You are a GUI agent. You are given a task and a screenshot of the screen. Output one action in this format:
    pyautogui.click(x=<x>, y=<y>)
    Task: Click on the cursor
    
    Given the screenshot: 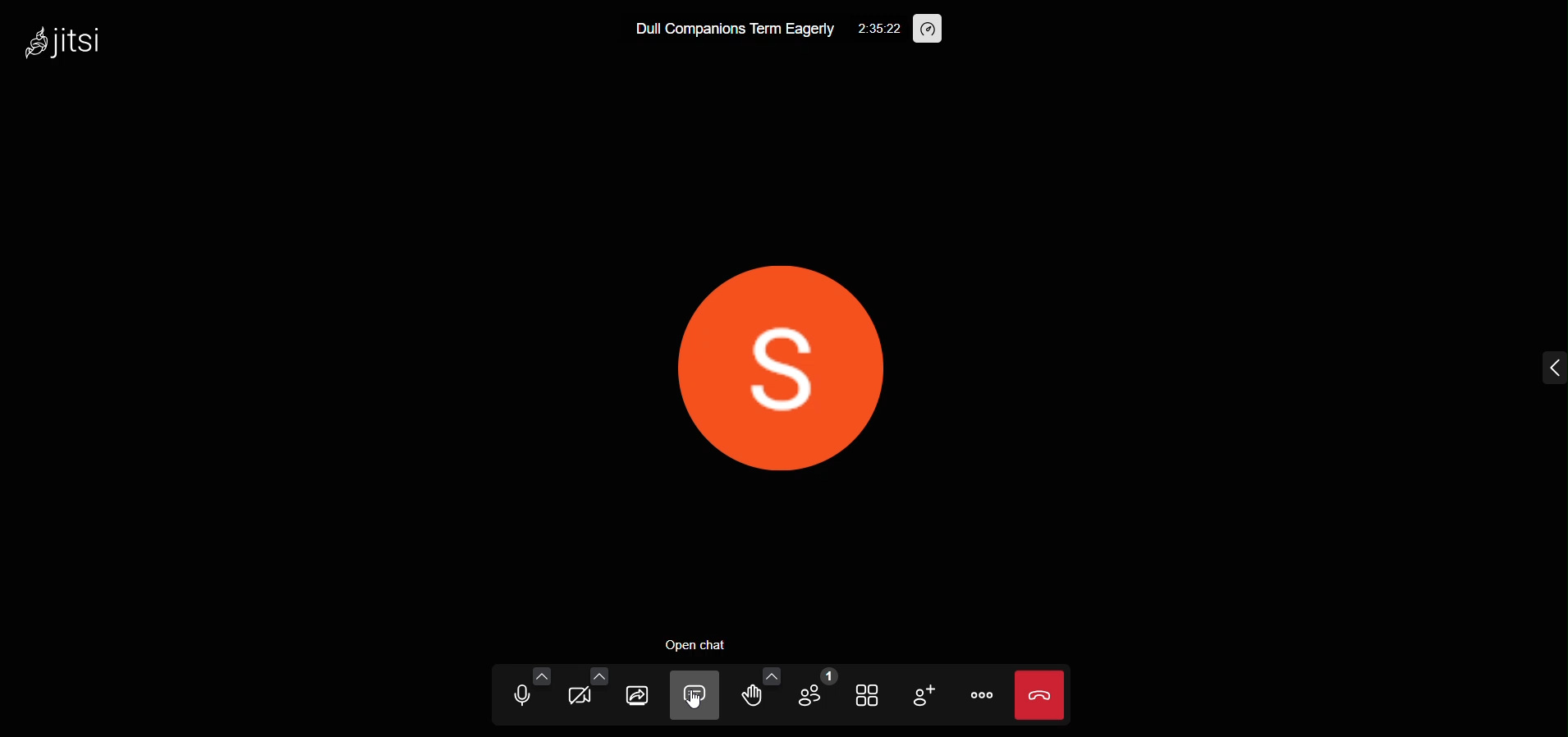 What is the action you would take?
    pyautogui.click(x=698, y=703)
    